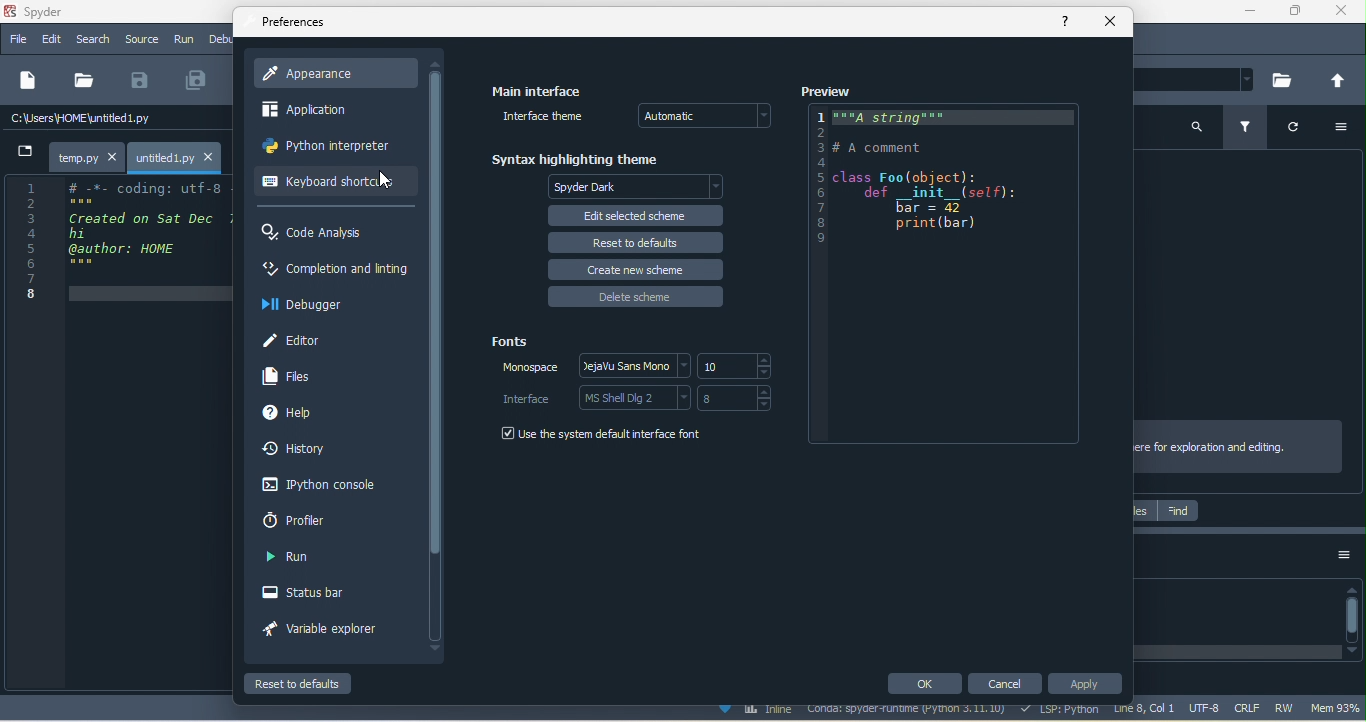 This screenshot has width=1366, height=722. I want to click on save all, so click(202, 80).